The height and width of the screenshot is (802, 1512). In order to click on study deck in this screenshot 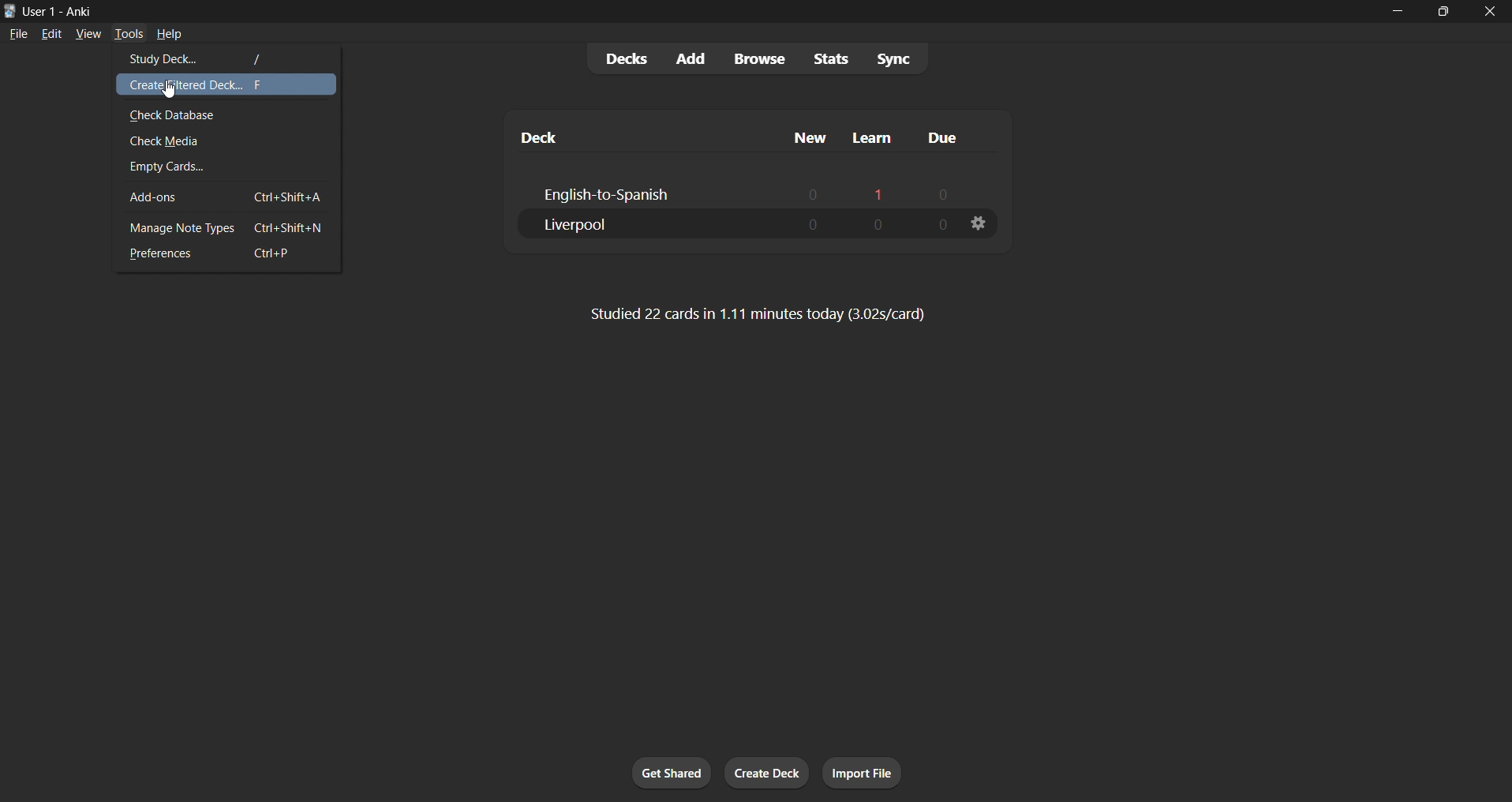, I will do `click(217, 58)`.